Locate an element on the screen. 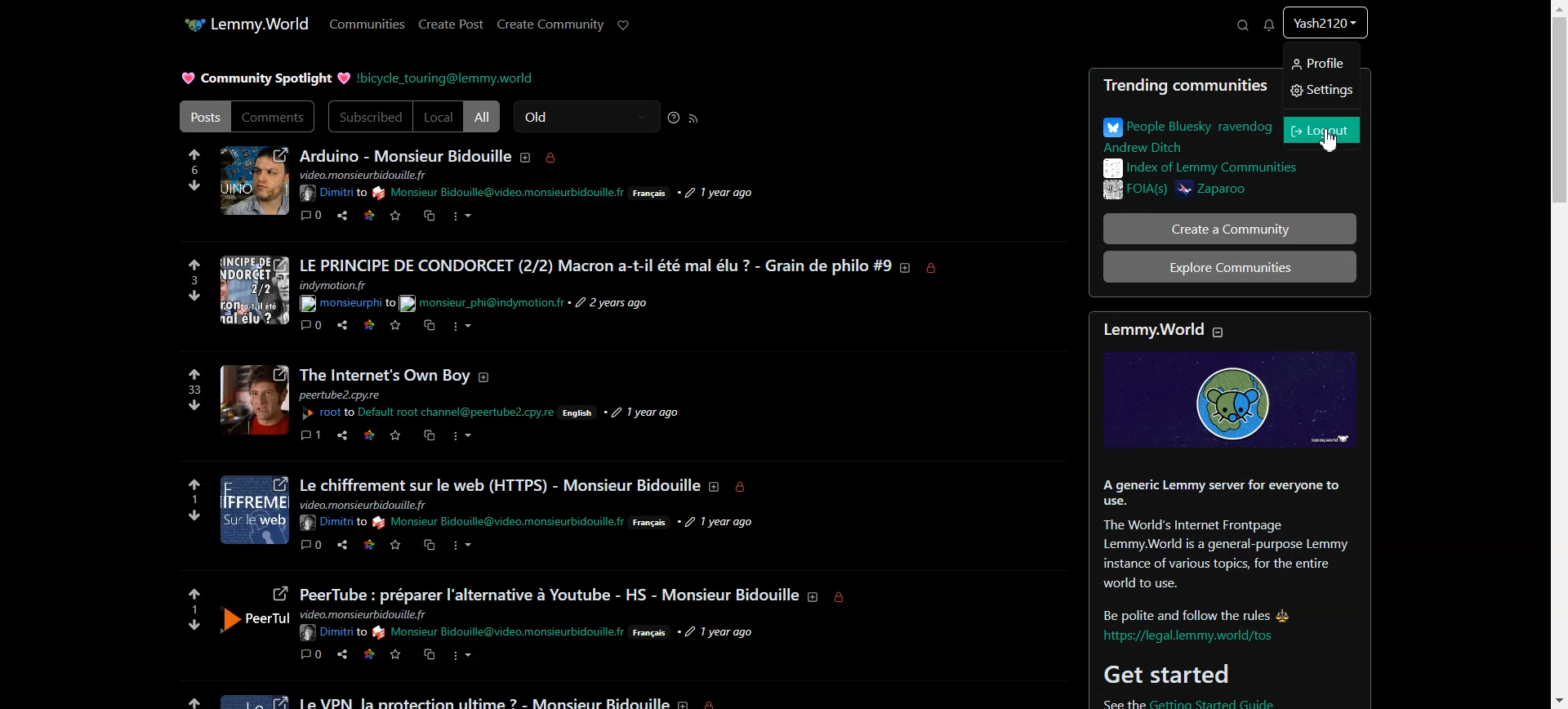 The width and height of the screenshot is (1568, 709). hyperlink is located at coordinates (1229, 700).